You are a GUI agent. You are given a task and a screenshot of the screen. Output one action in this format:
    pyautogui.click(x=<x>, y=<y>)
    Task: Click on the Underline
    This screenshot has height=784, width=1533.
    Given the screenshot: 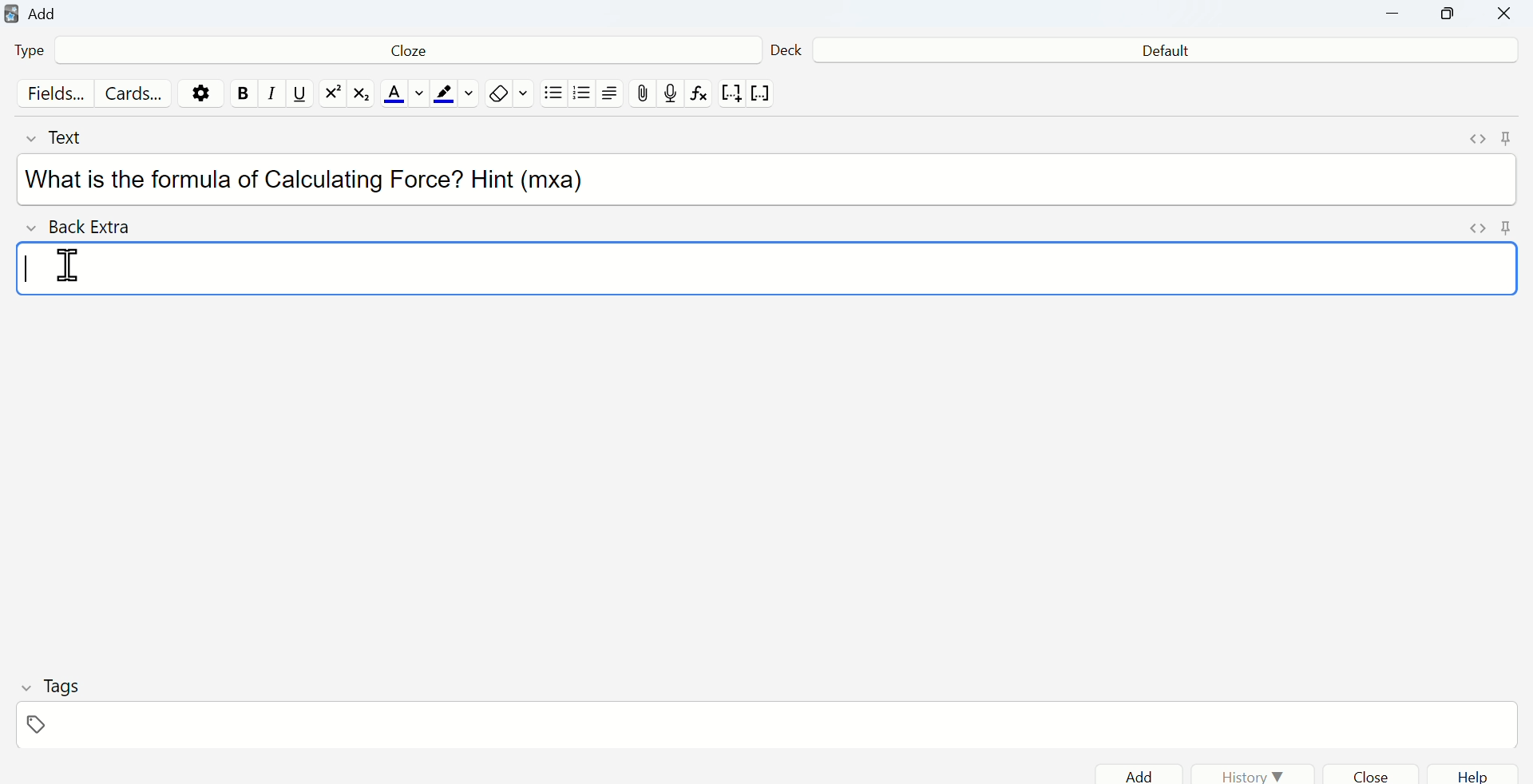 What is the action you would take?
    pyautogui.click(x=299, y=95)
    